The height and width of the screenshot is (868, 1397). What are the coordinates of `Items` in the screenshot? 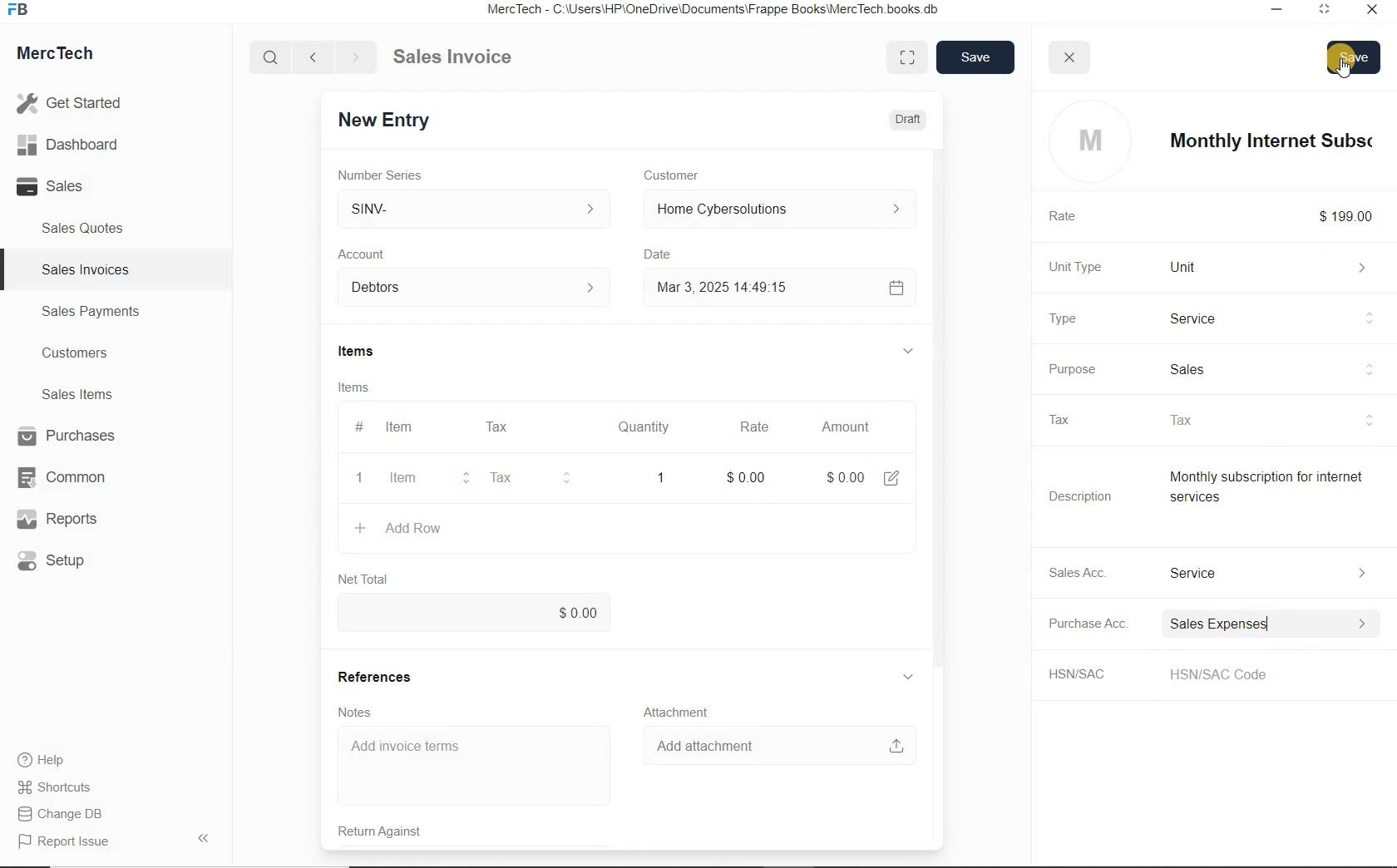 It's located at (363, 387).